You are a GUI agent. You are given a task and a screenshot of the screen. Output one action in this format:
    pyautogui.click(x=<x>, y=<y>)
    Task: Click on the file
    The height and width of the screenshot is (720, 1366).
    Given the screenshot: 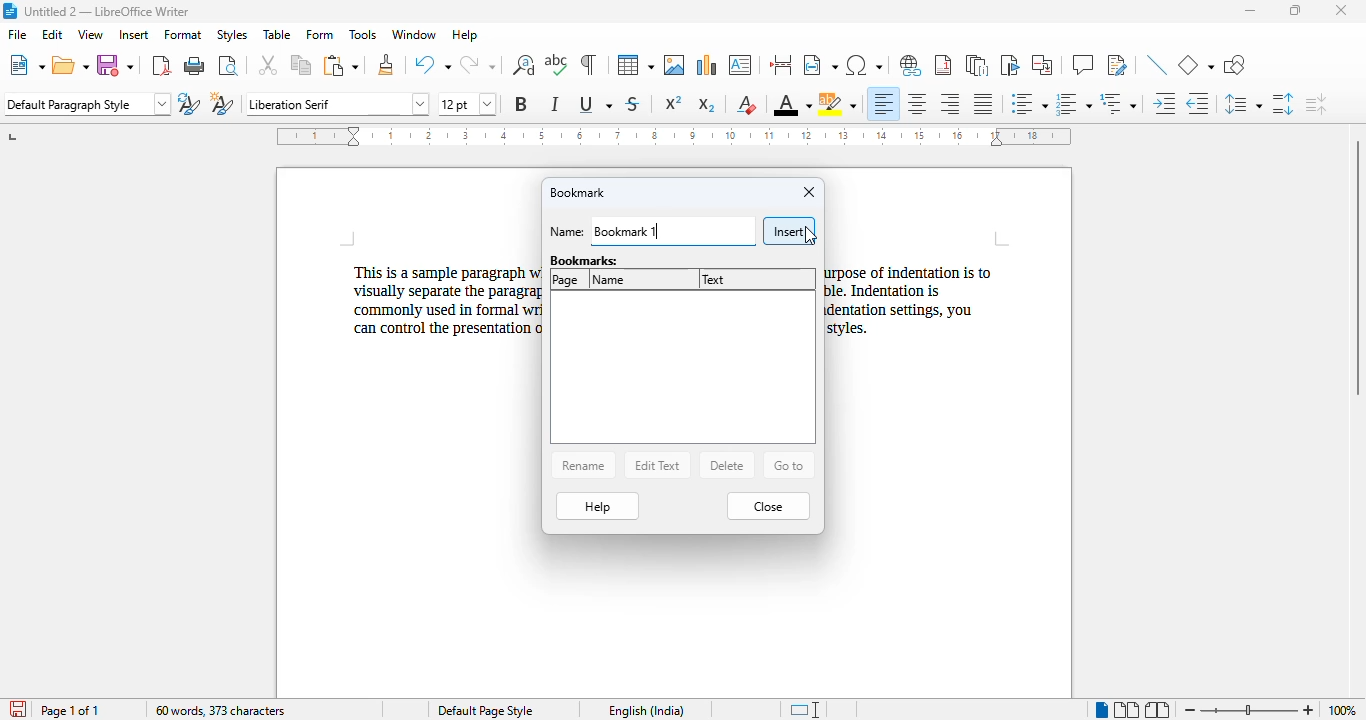 What is the action you would take?
    pyautogui.click(x=16, y=33)
    